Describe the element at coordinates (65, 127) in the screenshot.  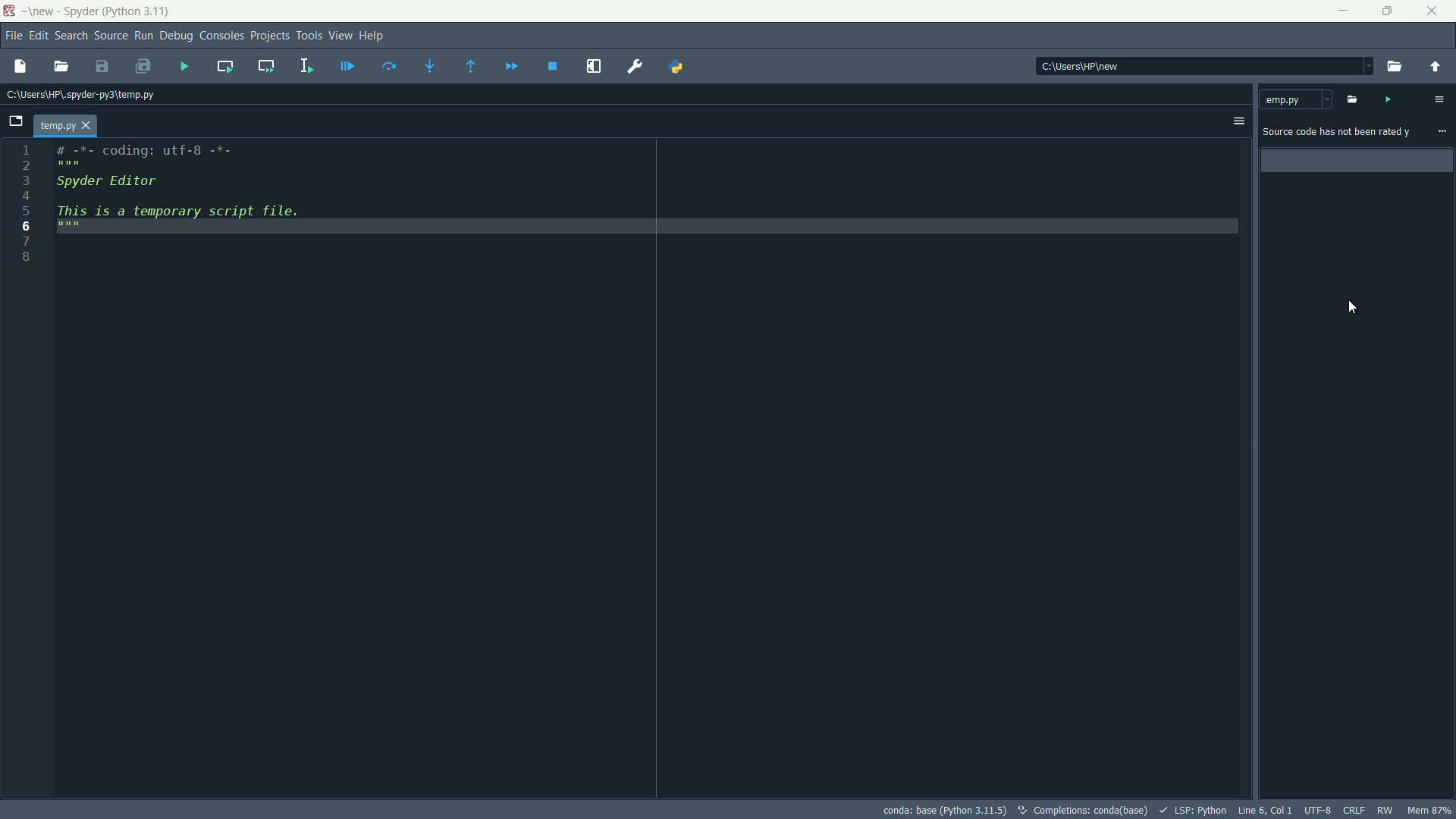
I see `file name: temp.py` at that location.